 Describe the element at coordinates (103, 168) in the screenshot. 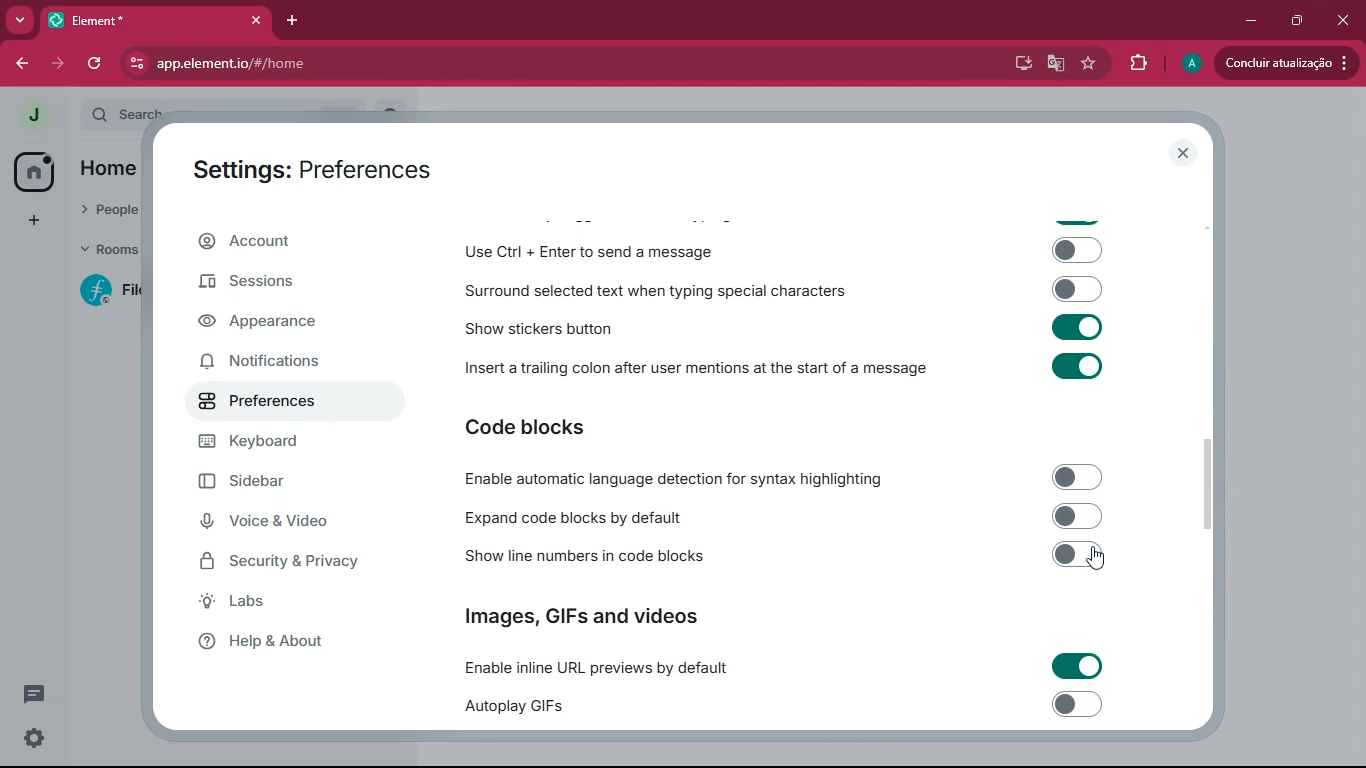

I see `home` at that location.